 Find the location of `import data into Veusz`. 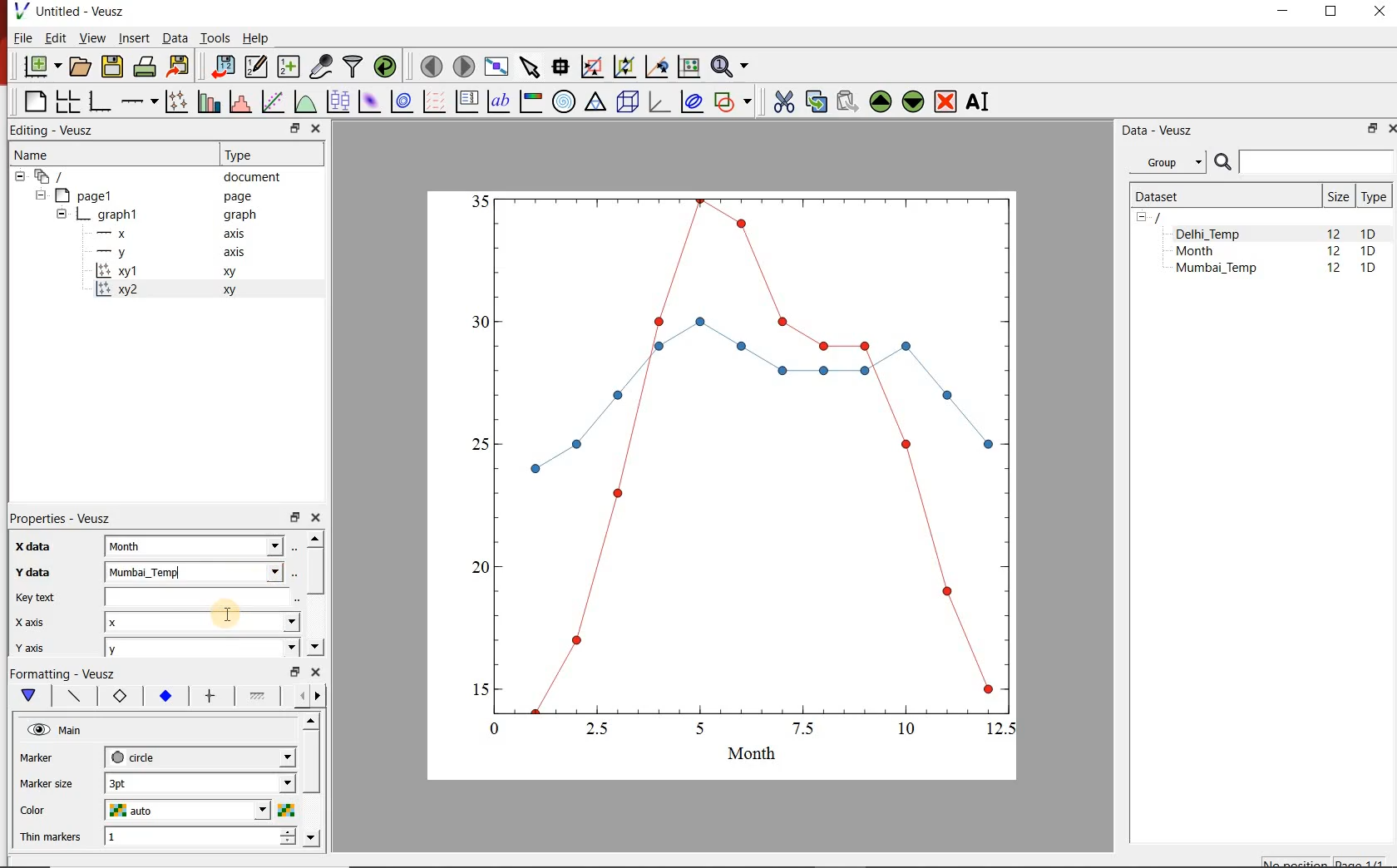

import data into Veusz is located at coordinates (221, 67).